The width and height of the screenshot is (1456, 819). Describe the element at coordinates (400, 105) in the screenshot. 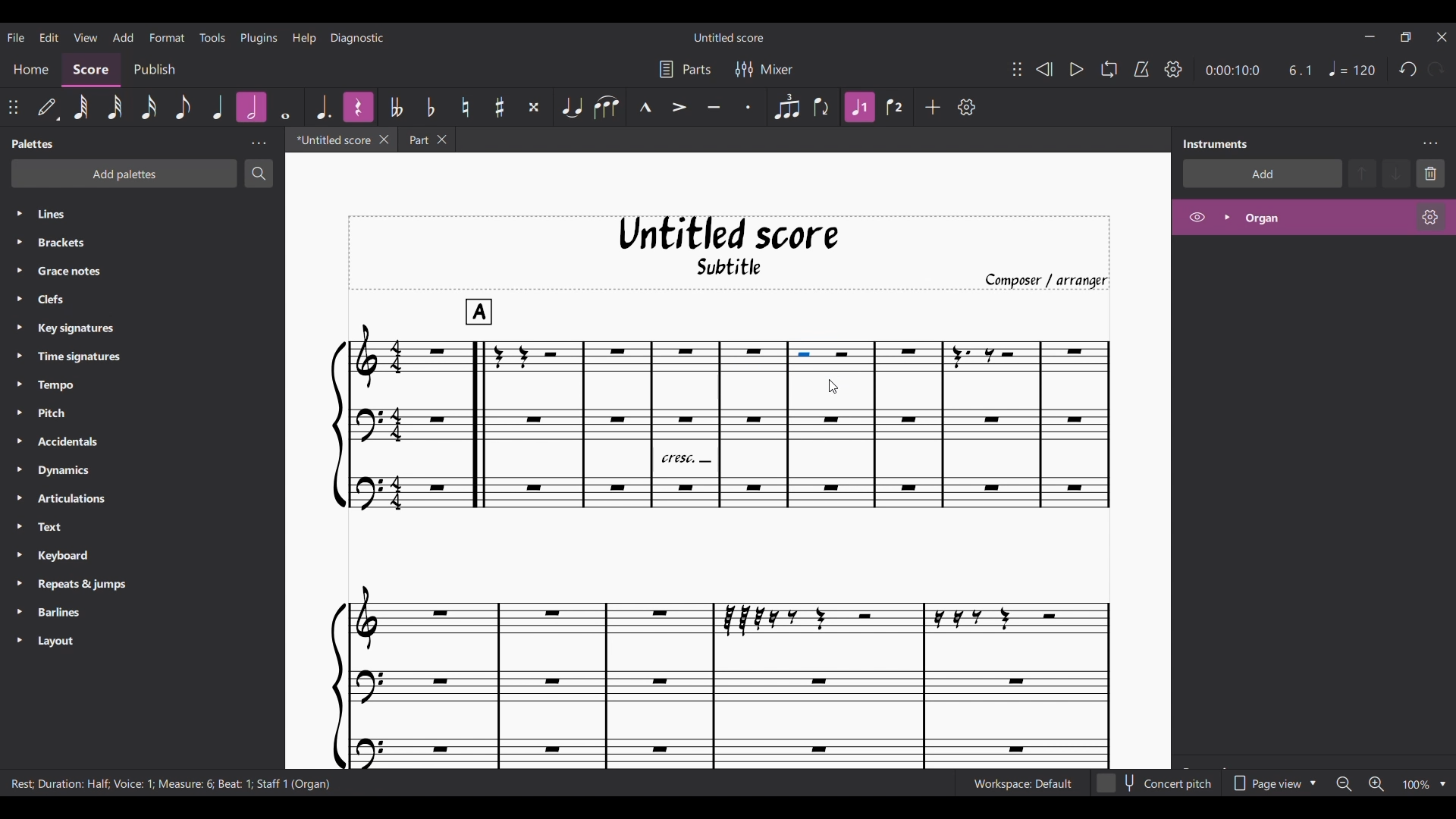

I see `Toggle double flat` at that location.